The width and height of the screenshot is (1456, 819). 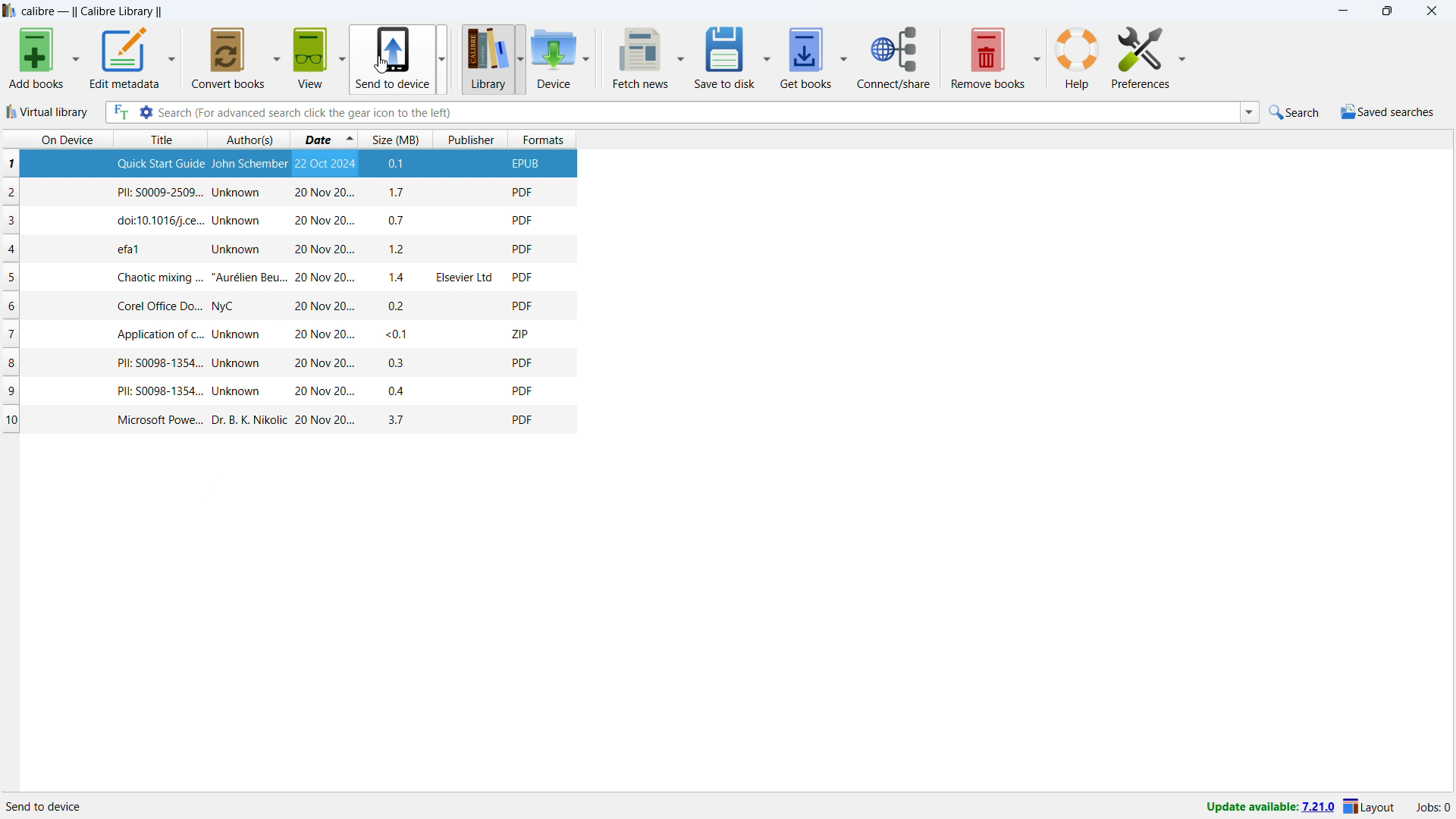 I want to click on search history, so click(x=1249, y=111).